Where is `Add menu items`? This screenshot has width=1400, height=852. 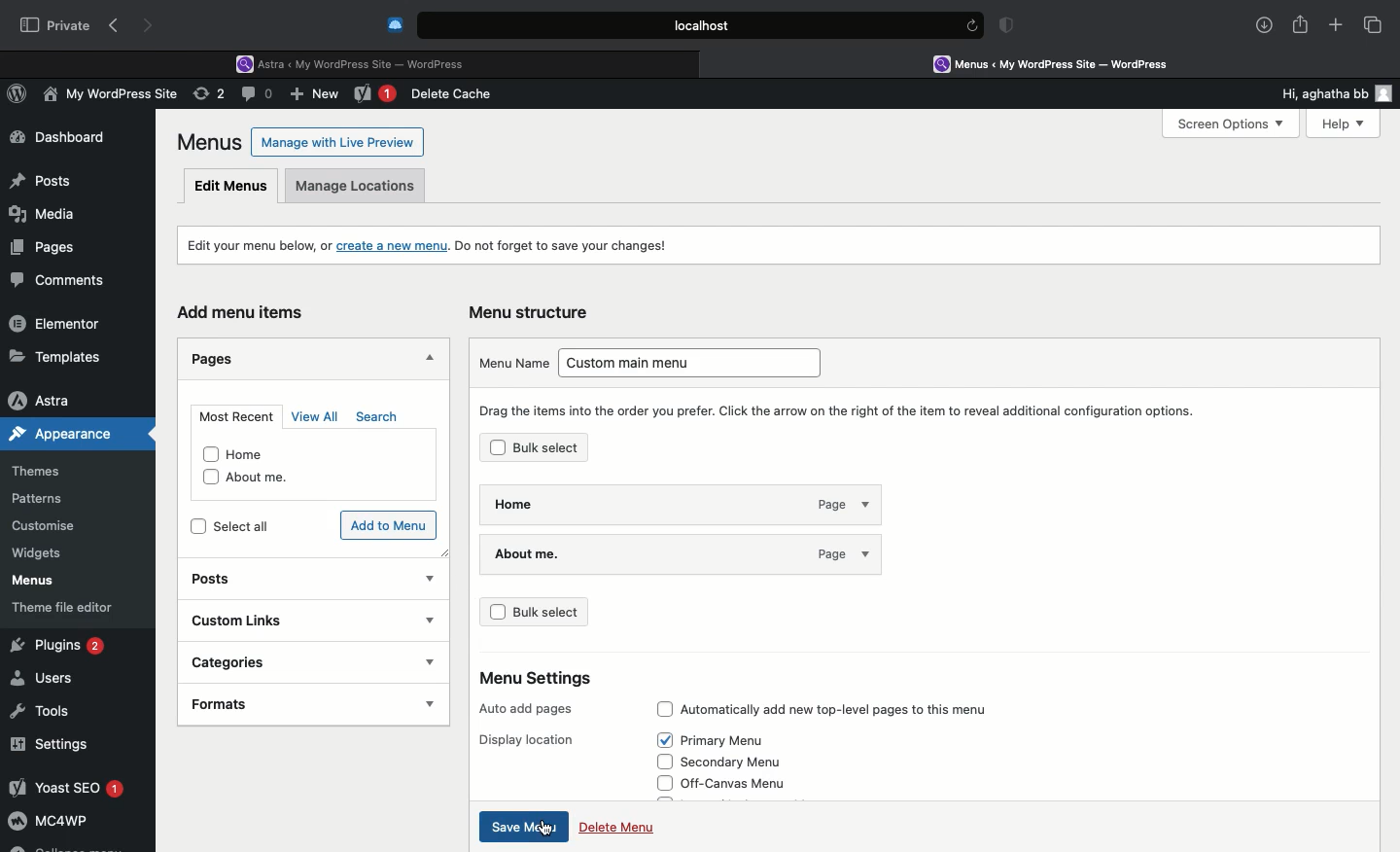 Add menu items is located at coordinates (249, 313).